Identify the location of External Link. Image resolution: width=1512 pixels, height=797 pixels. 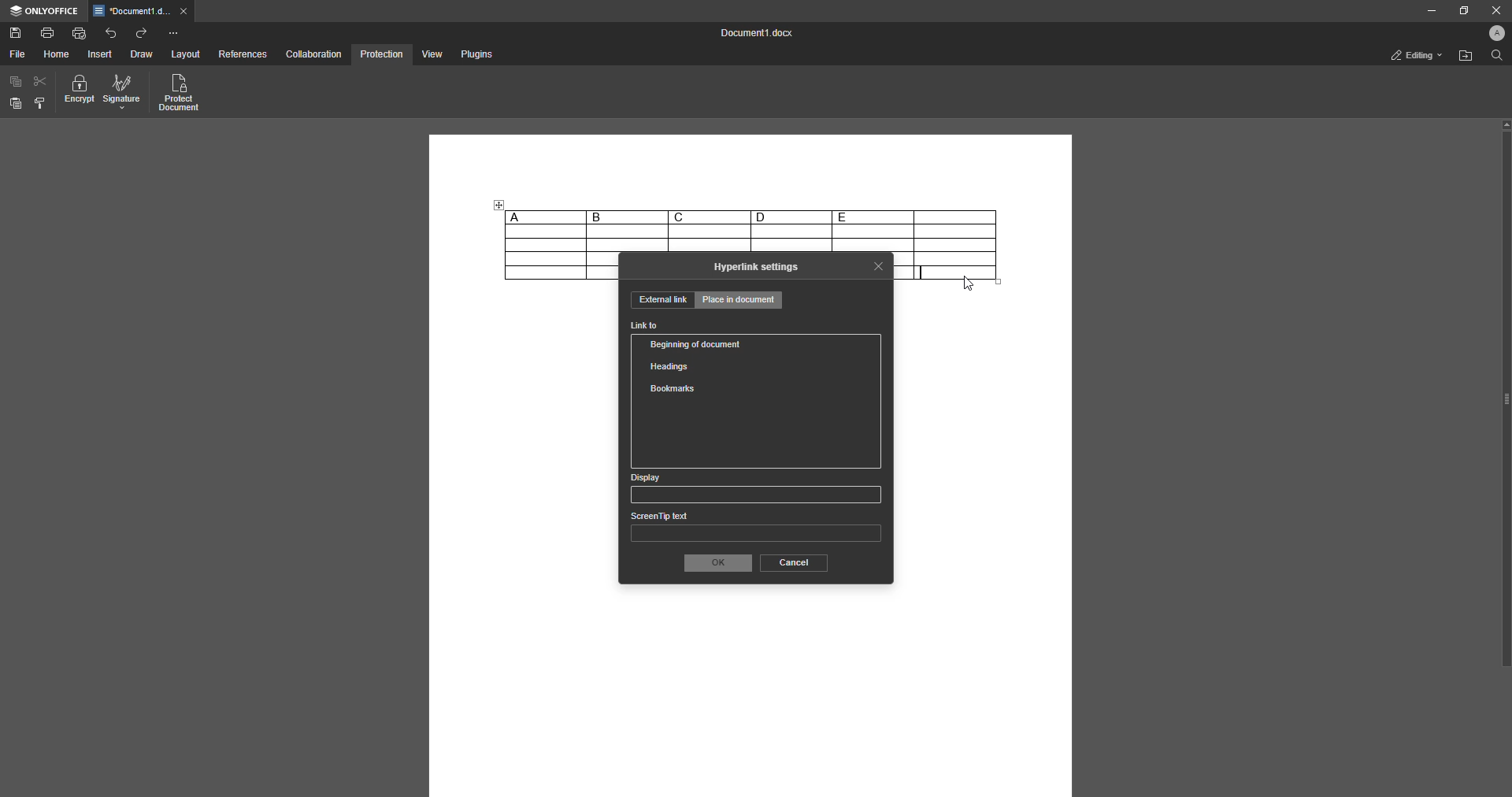
(661, 300).